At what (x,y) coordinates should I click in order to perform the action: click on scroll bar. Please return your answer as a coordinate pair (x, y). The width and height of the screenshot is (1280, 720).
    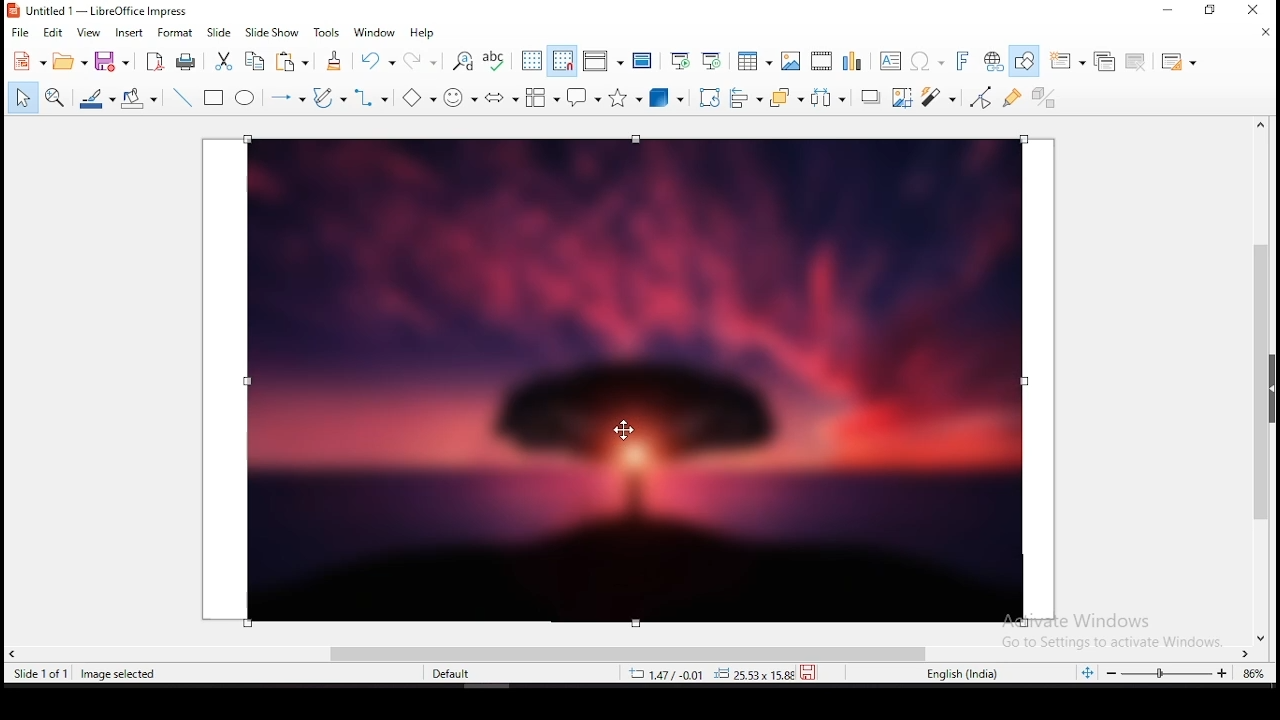
    Looking at the image, I should click on (1267, 380).